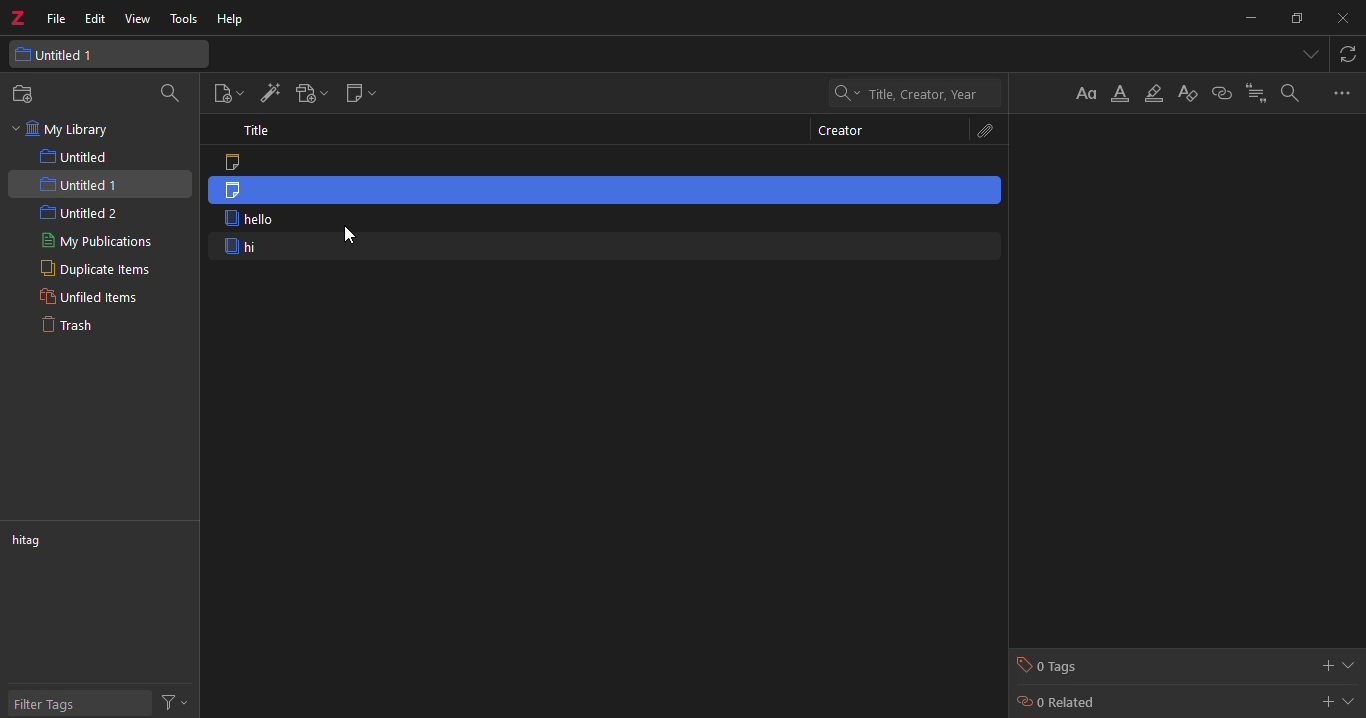  I want to click on note, so click(239, 162).